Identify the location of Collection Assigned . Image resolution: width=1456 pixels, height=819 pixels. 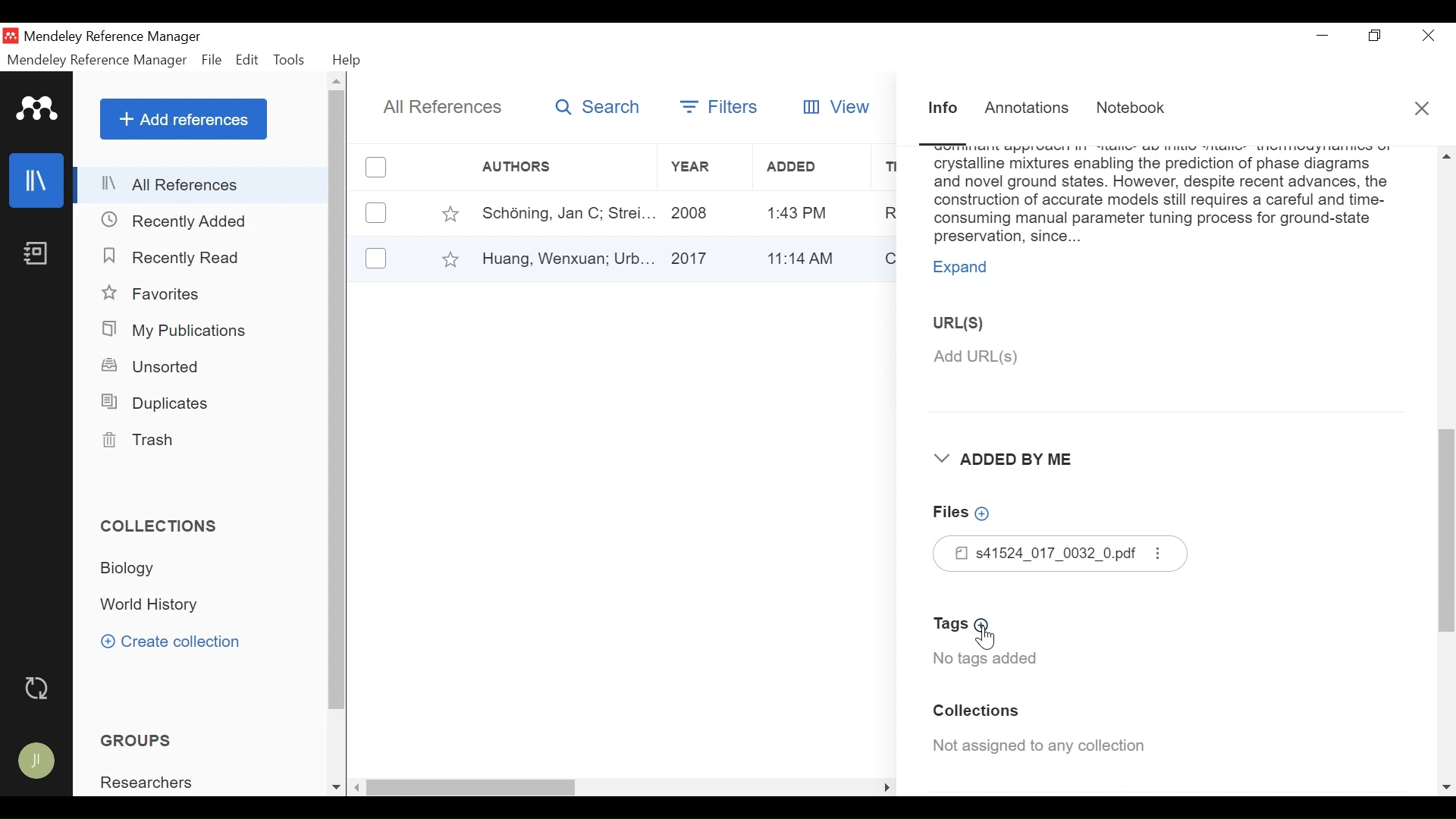
(1046, 745).